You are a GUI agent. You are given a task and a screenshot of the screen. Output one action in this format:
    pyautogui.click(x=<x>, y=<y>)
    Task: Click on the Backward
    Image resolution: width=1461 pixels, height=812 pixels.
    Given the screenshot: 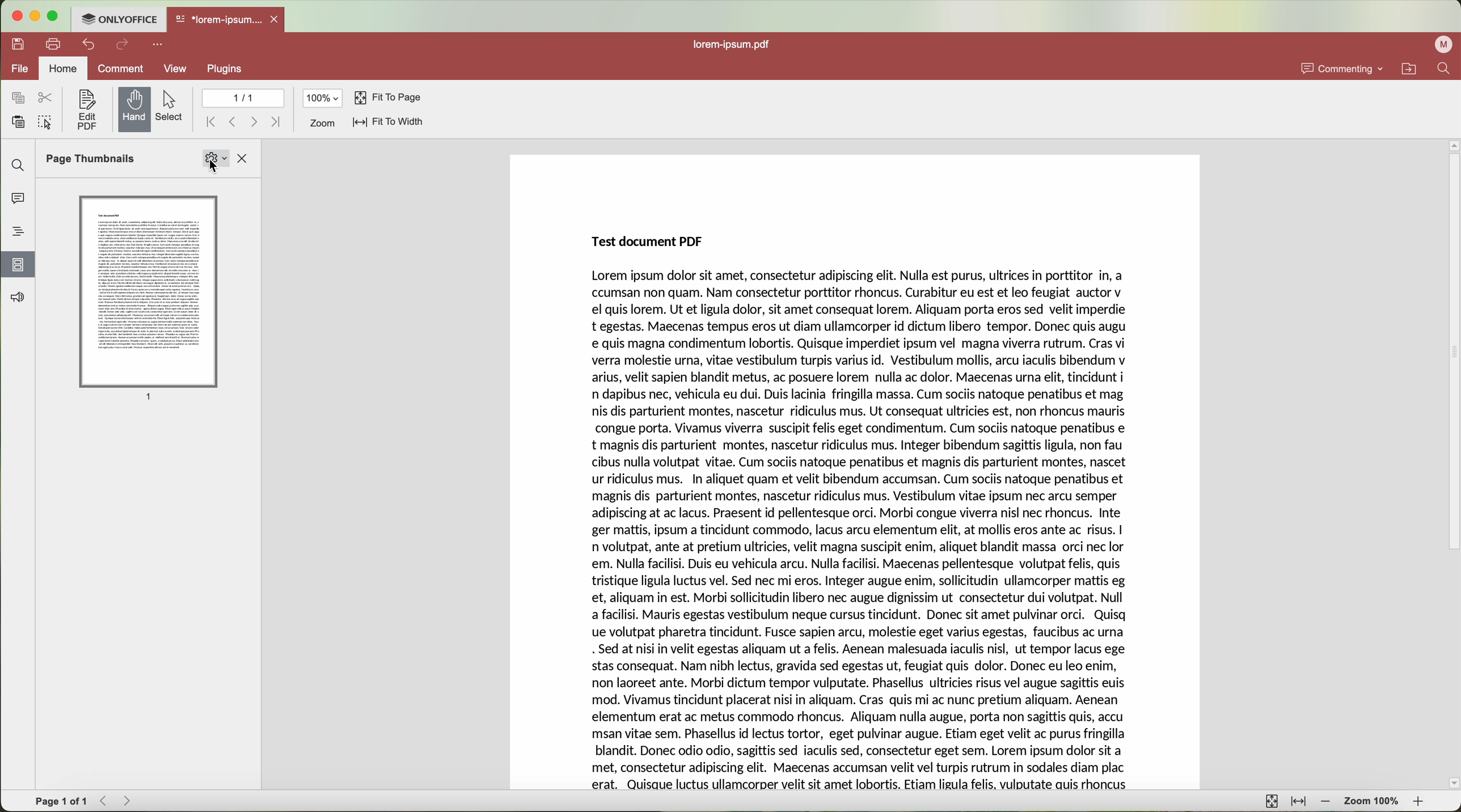 What is the action you would take?
    pyautogui.click(x=105, y=801)
    